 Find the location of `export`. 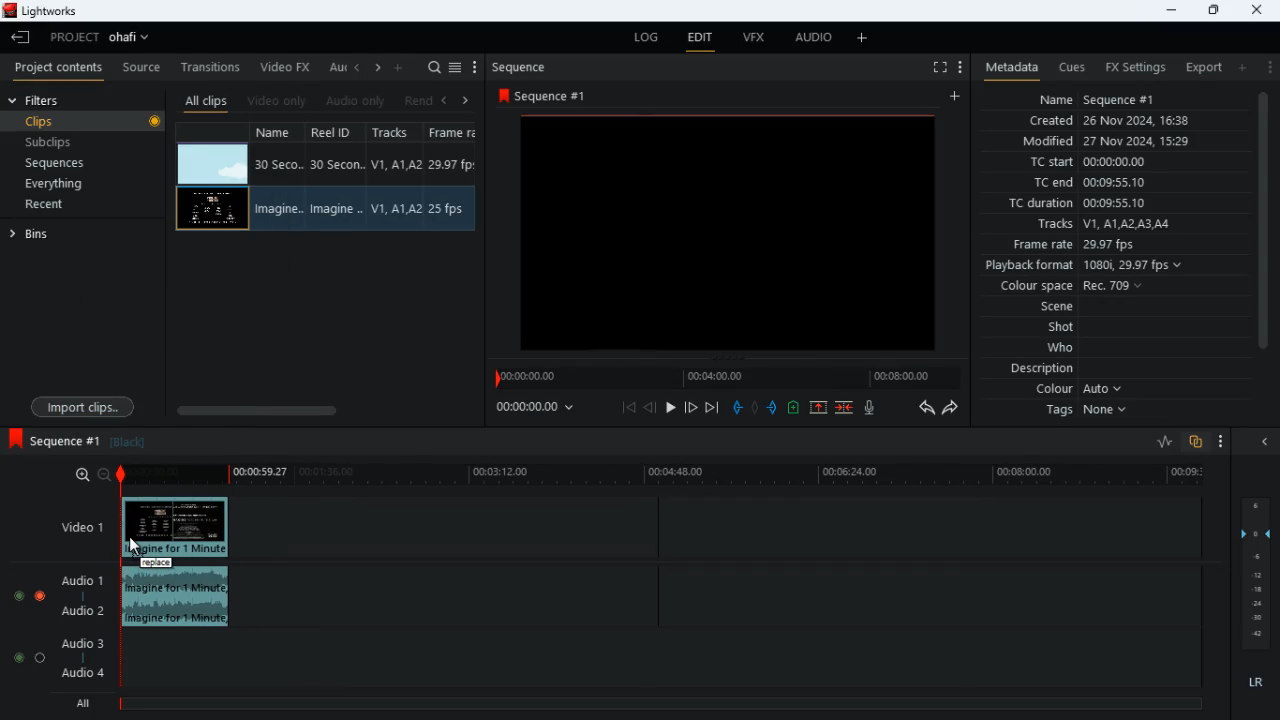

export is located at coordinates (1198, 68).